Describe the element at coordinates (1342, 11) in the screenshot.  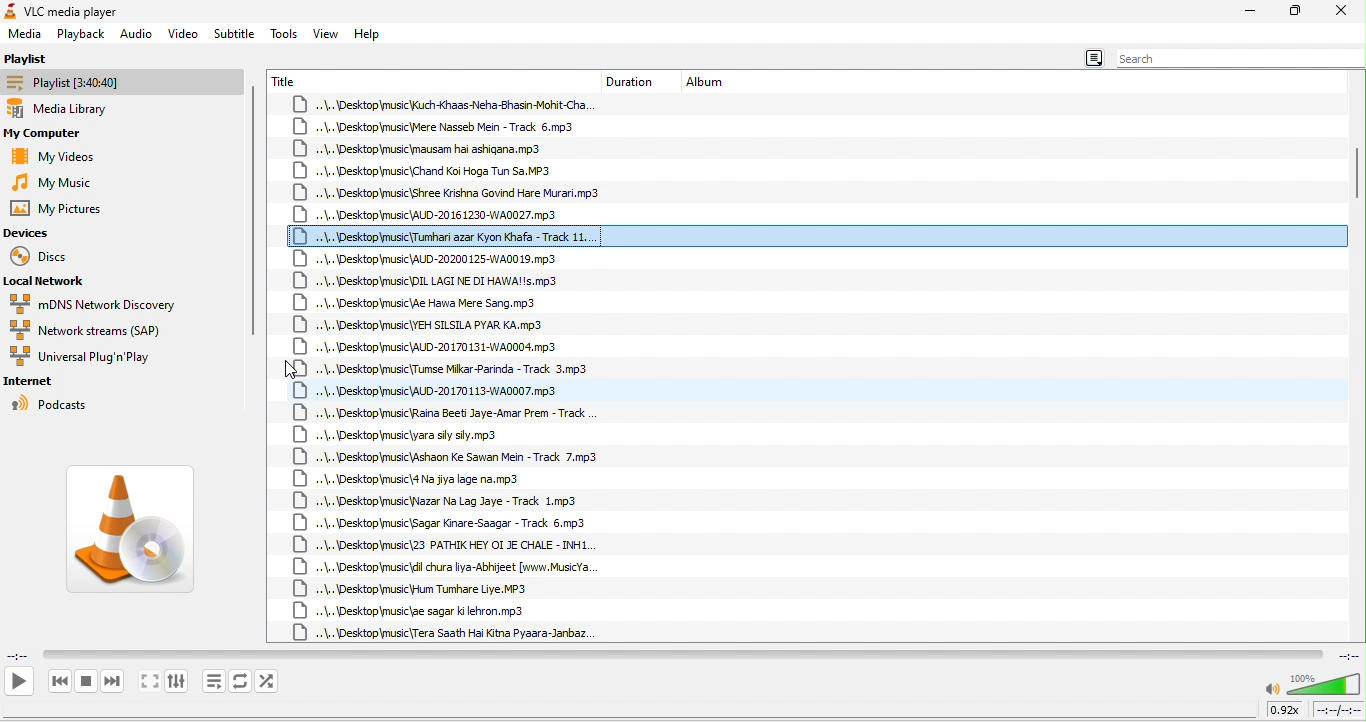
I see `close` at that location.